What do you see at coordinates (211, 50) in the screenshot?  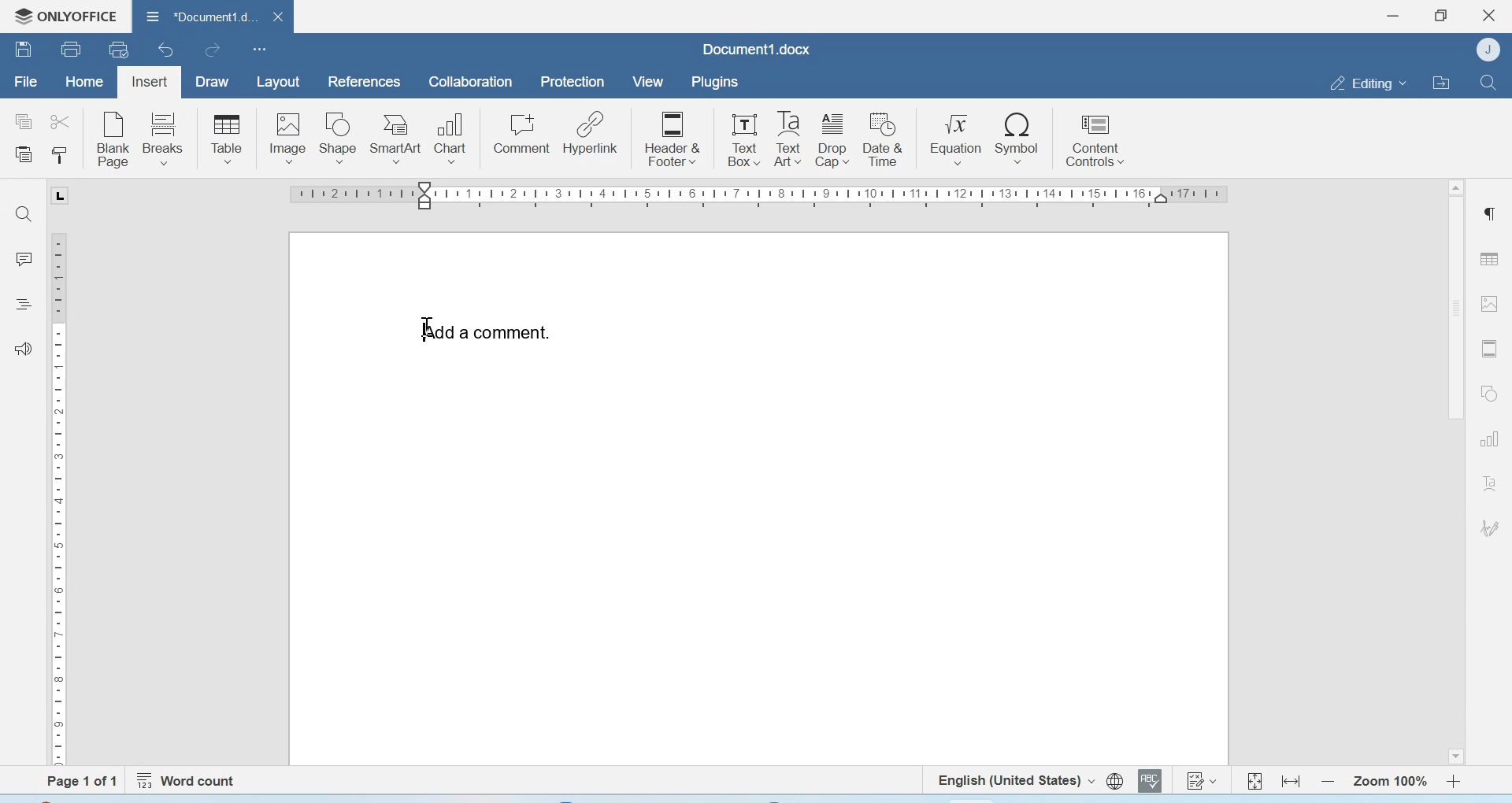 I see `Redo` at bounding box center [211, 50].